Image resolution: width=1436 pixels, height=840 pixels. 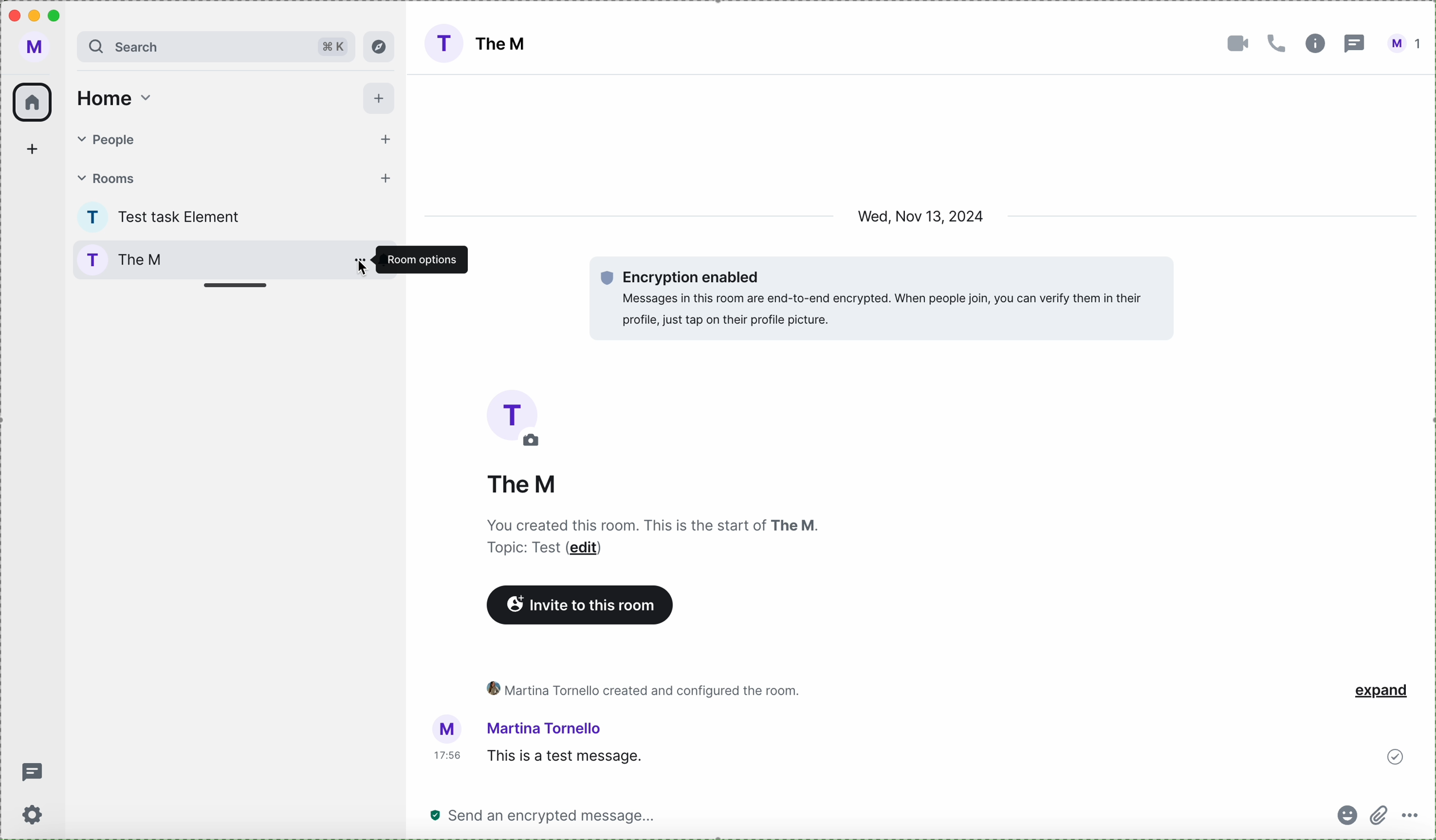 What do you see at coordinates (95, 217) in the screenshot?
I see `profile` at bounding box center [95, 217].